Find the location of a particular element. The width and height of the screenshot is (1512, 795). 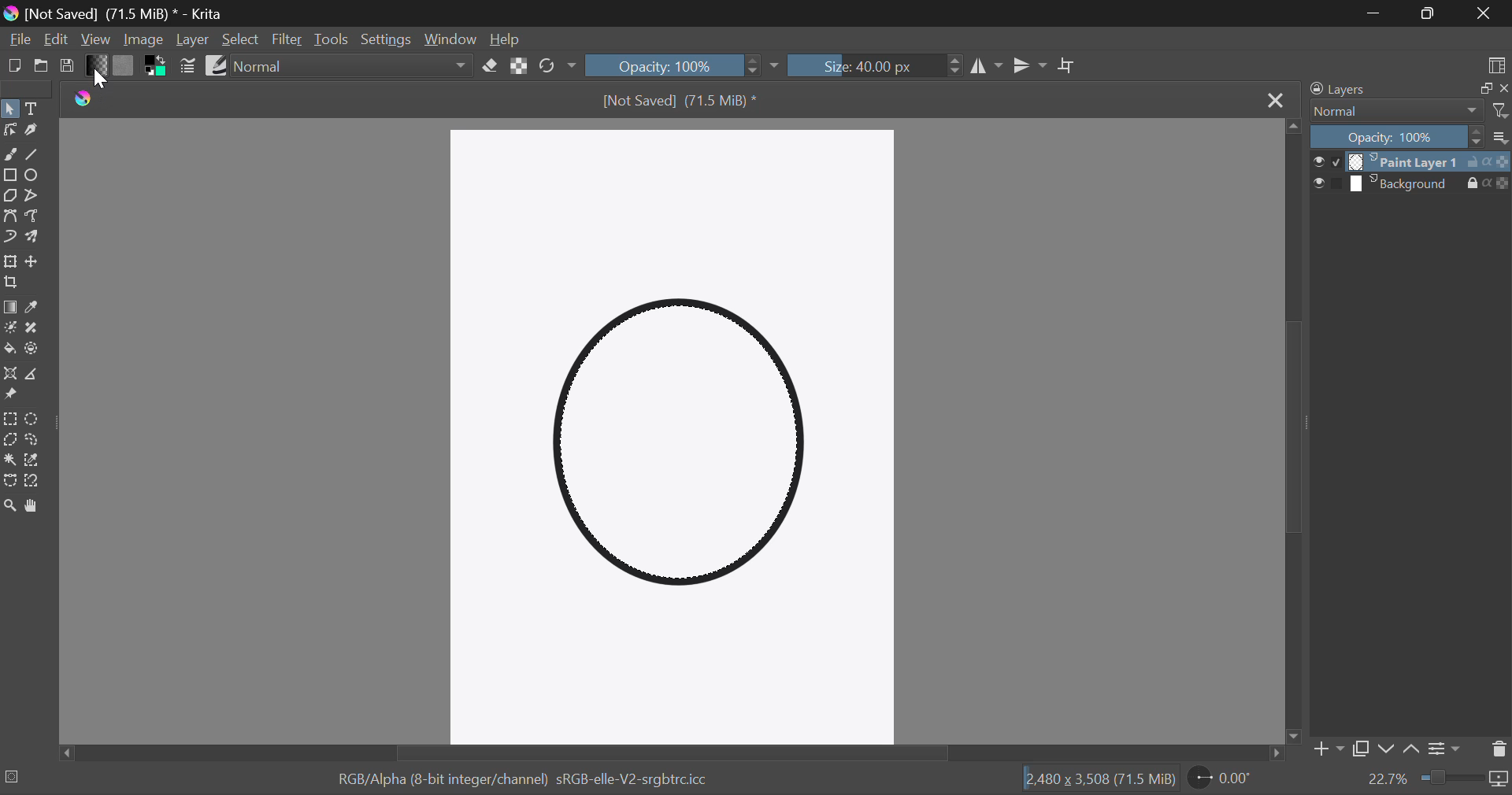

Circular Selection is located at coordinates (35, 417).